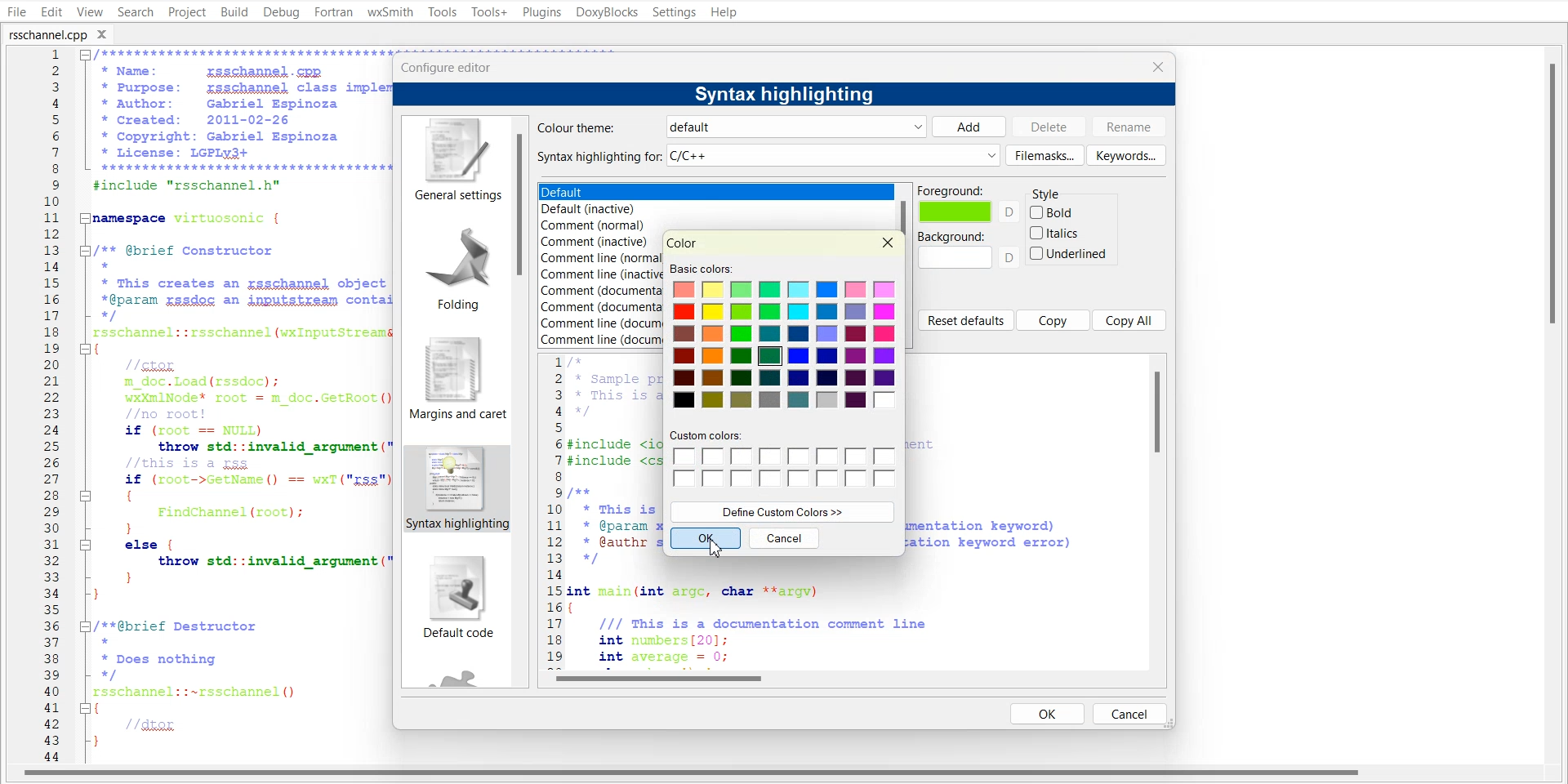  Describe the element at coordinates (333, 12) in the screenshot. I see `Fortran` at that location.